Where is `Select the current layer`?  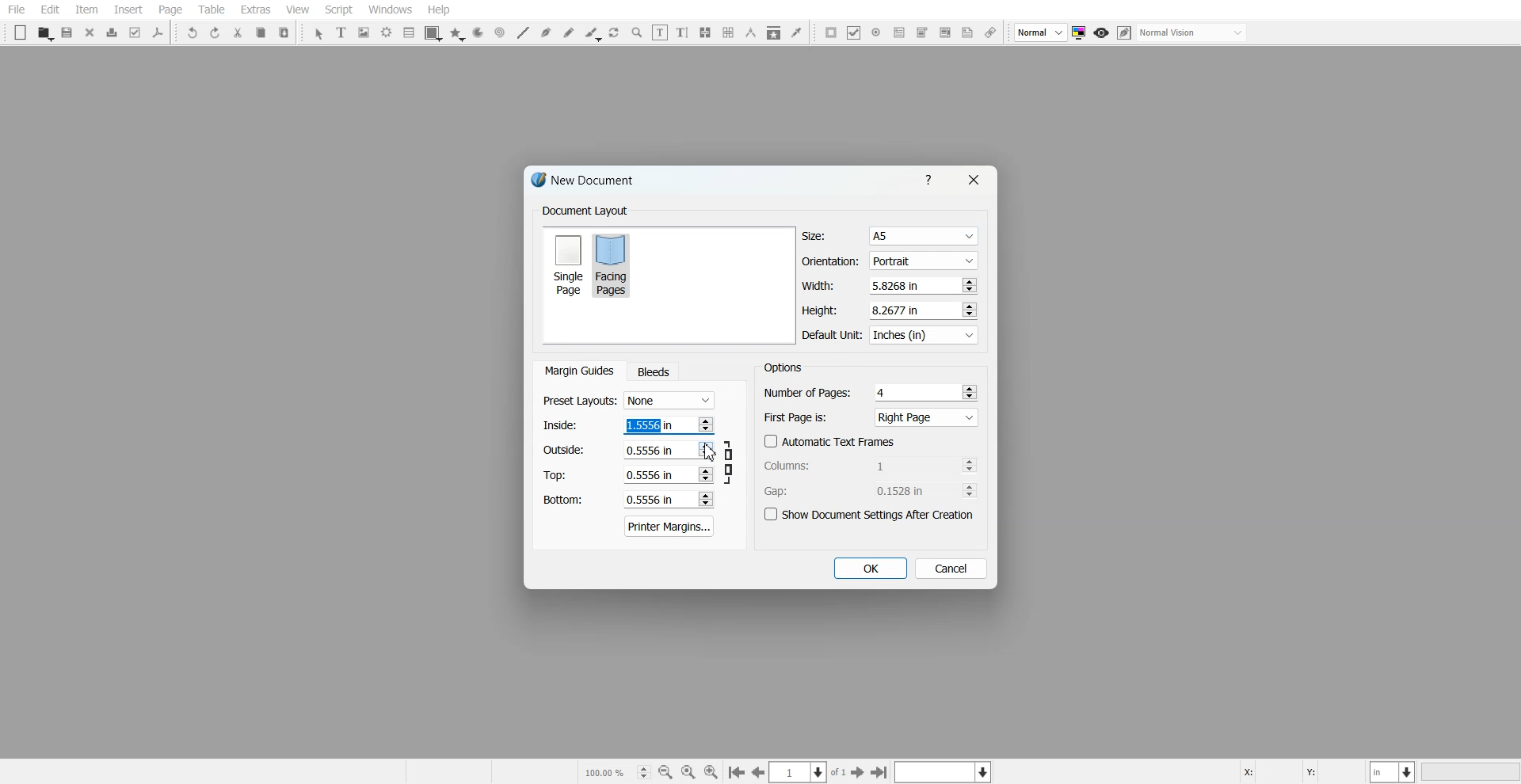
Select the current layer is located at coordinates (945, 771).